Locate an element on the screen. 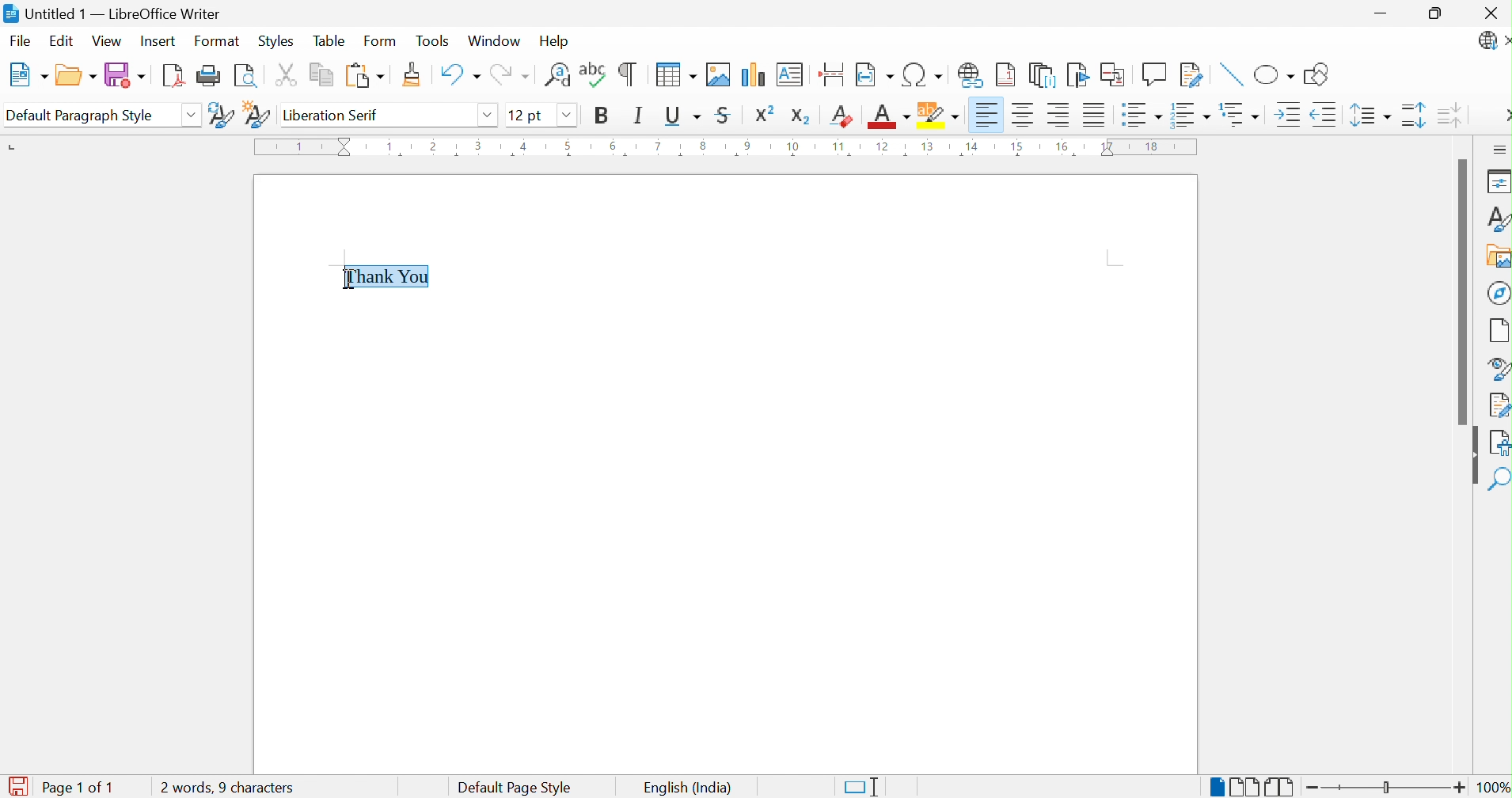  Untitled 1 - LibreOffice Writer  is located at coordinates (116, 13).